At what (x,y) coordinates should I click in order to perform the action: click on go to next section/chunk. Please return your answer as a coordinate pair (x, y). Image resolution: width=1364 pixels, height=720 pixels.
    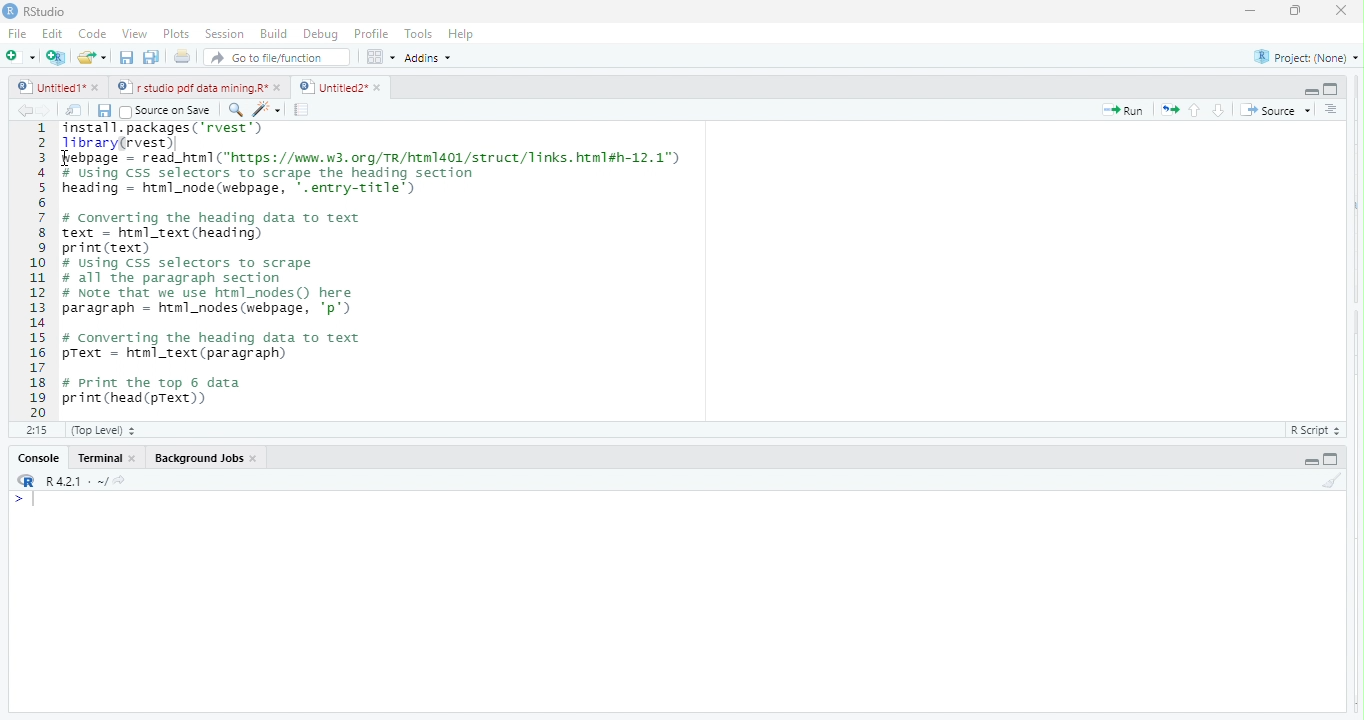
    Looking at the image, I should click on (1220, 110).